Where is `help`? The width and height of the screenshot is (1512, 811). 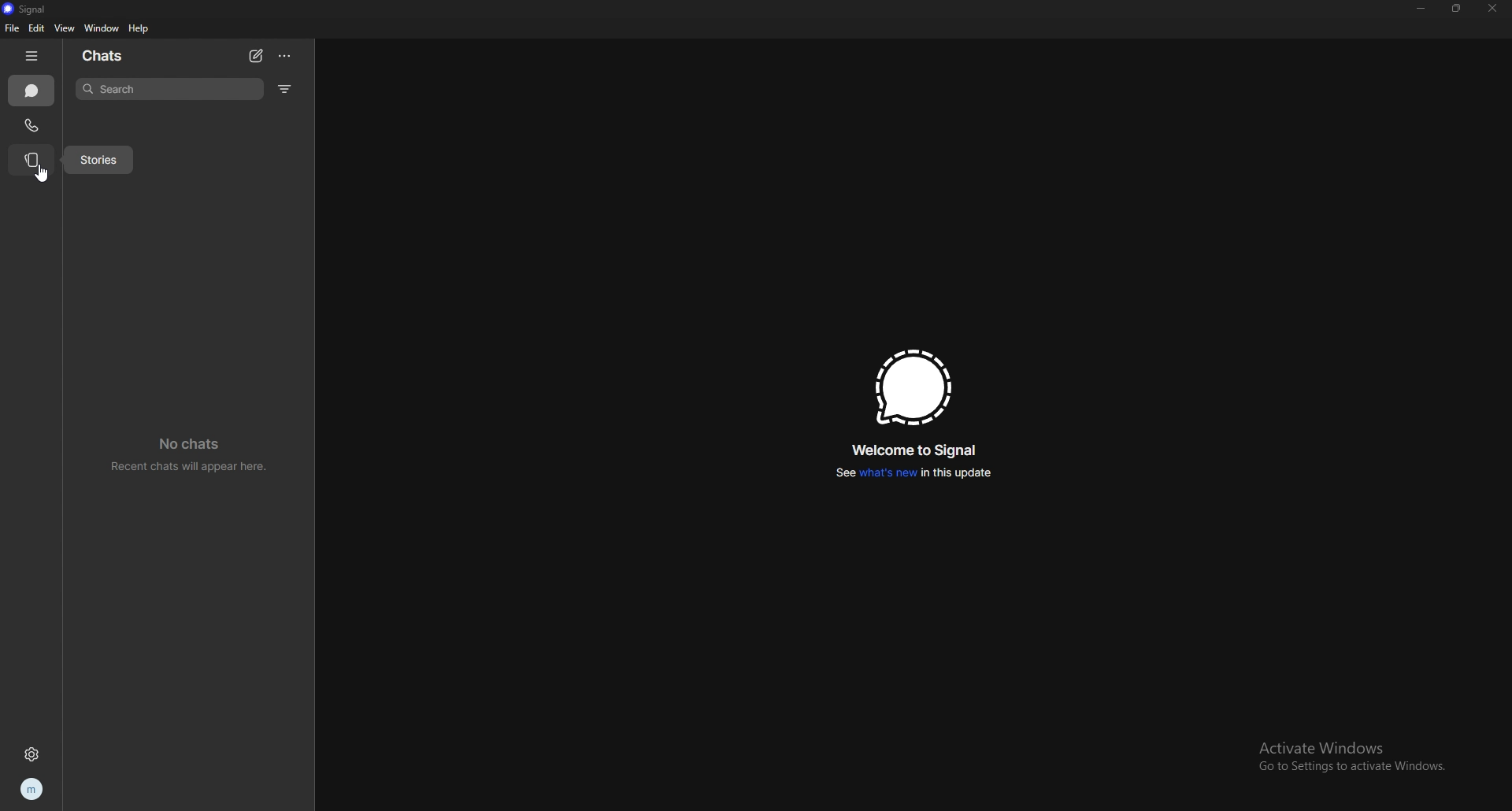 help is located at coordinates (139, 29).